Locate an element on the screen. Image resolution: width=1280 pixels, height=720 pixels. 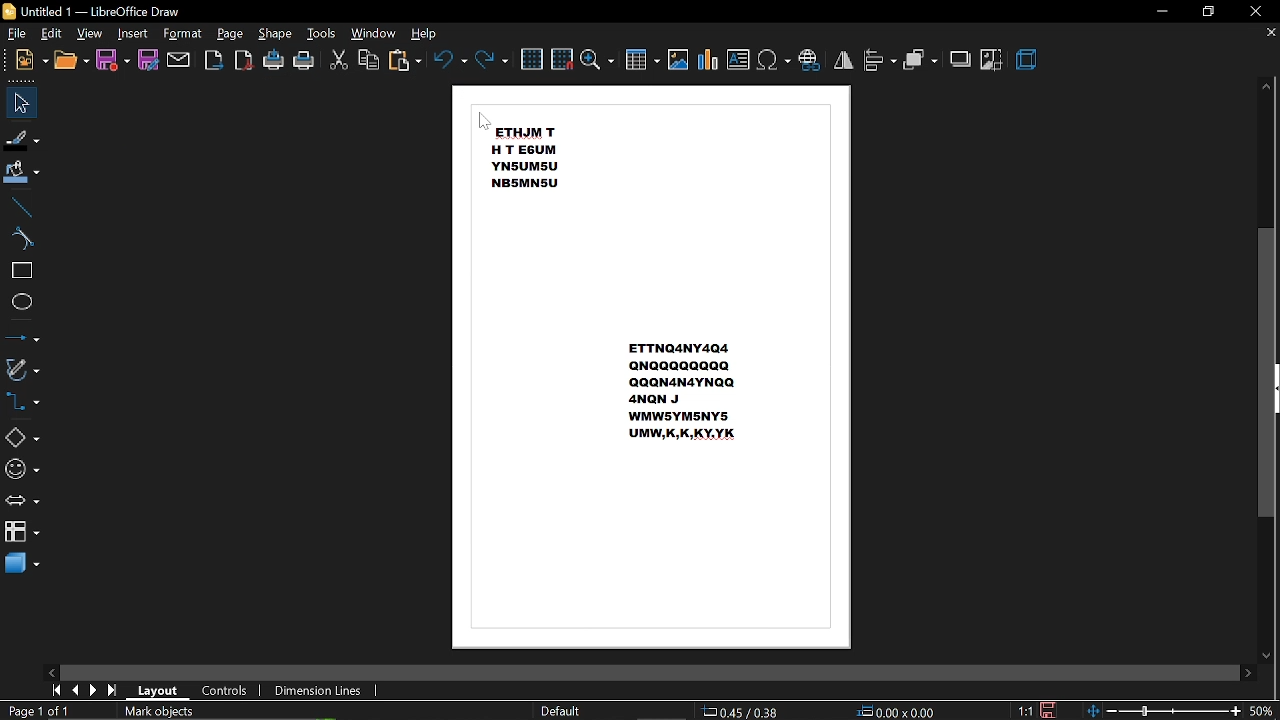
fill color is located at coordinates (24, 173).